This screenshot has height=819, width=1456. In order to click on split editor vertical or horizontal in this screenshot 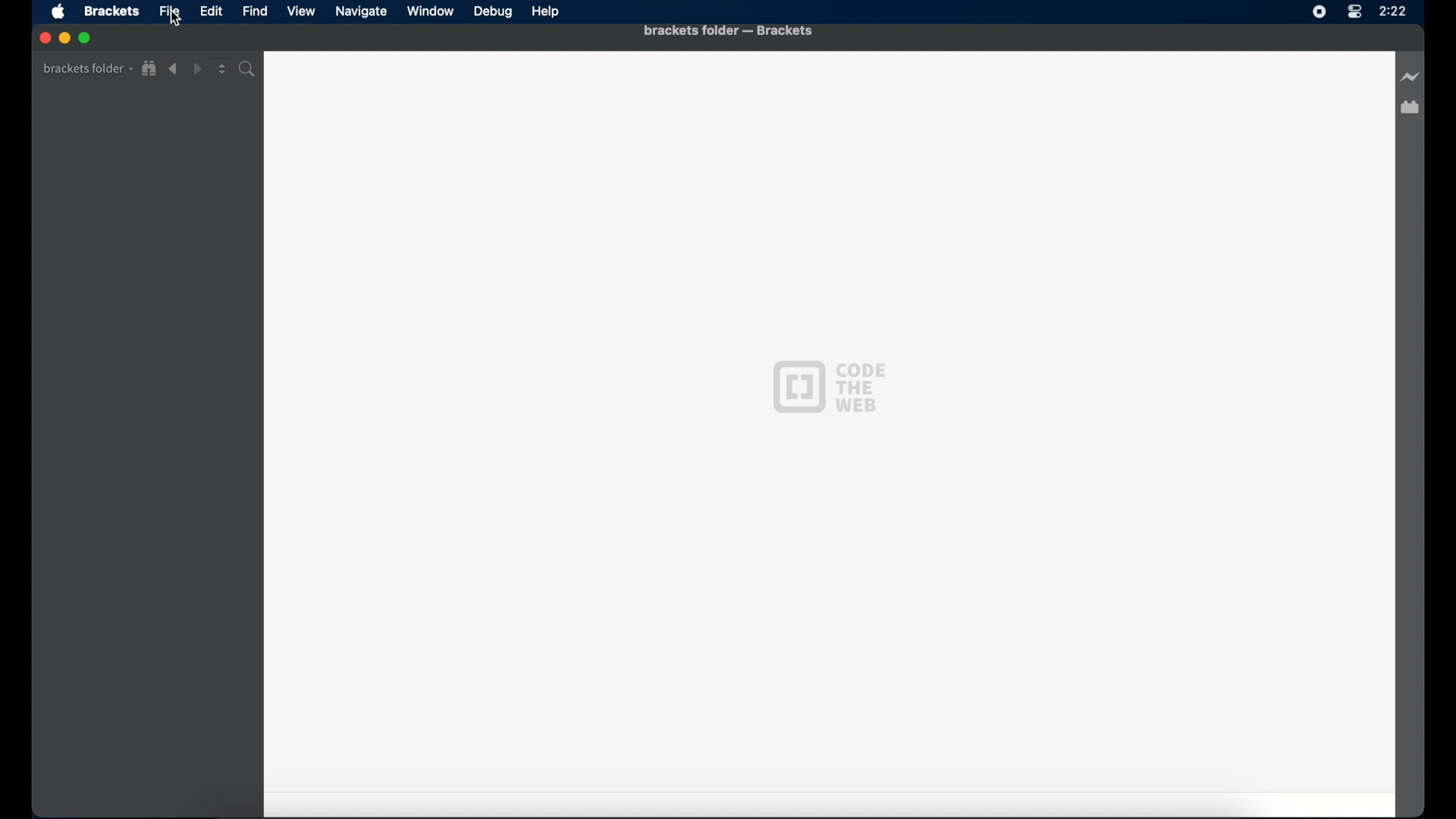, I will do `click(222, 70)`.